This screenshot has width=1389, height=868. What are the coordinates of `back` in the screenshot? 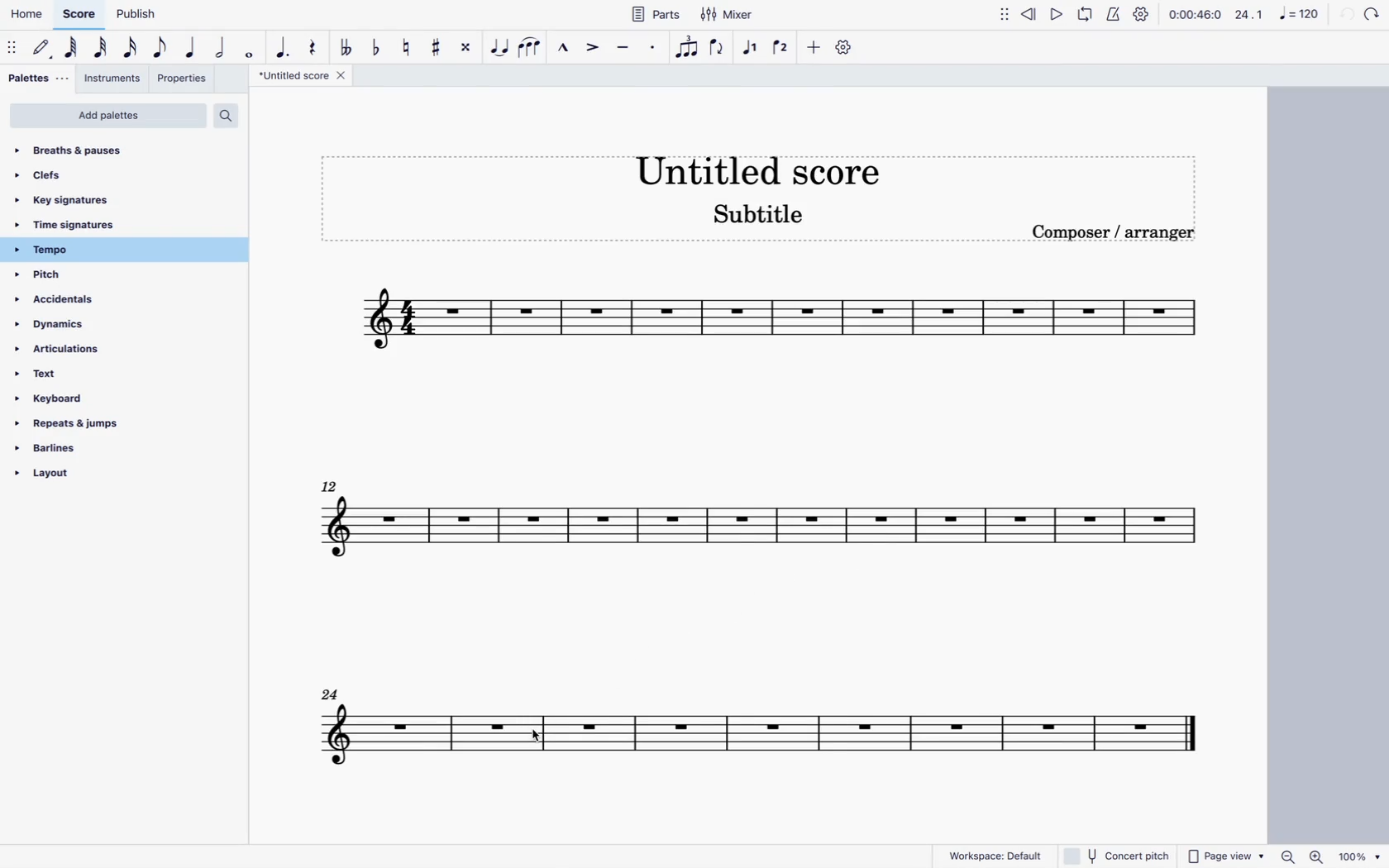 It's located at (1344, 14).